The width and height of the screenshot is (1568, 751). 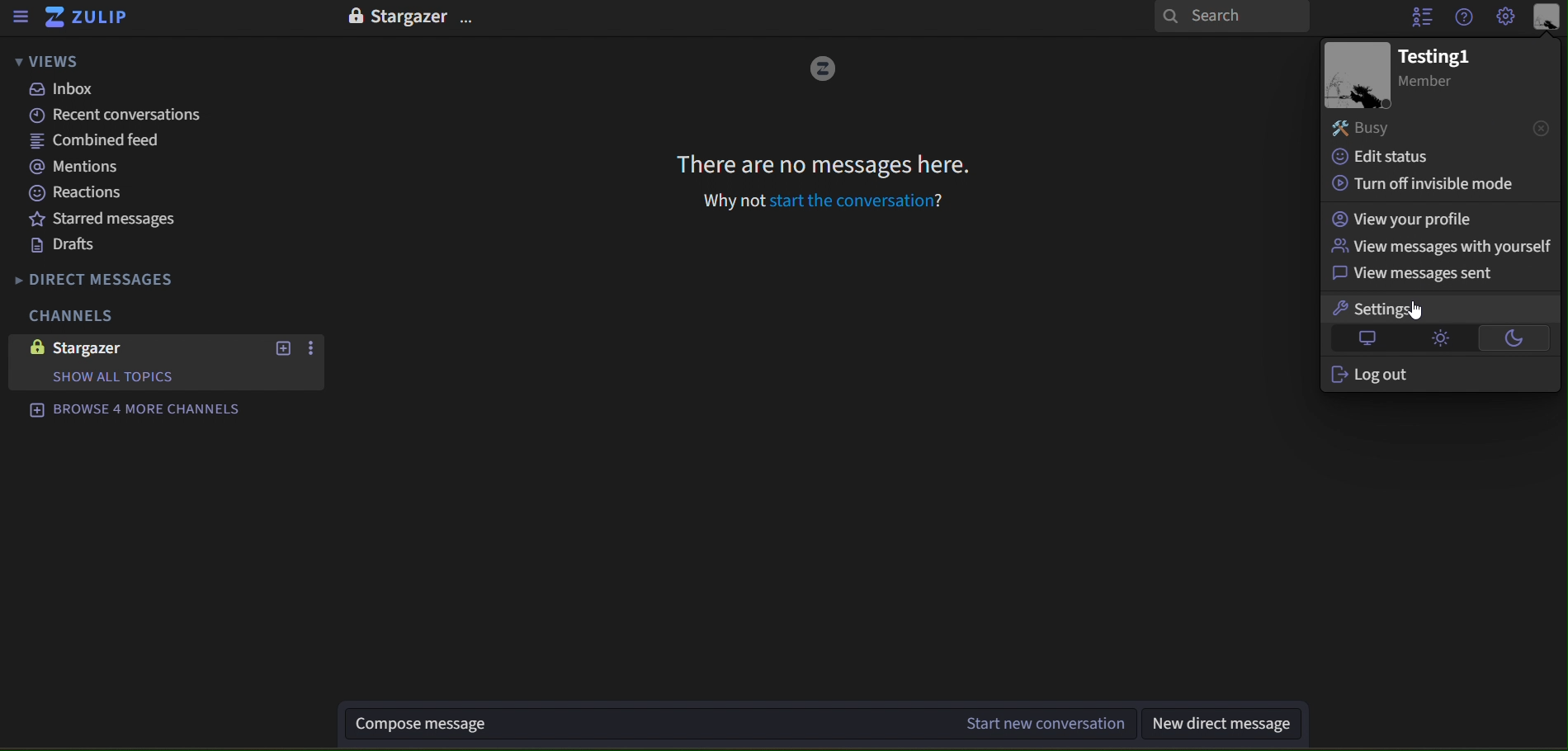 What do you see at coordinates (1411, 313) in the screenshot?
I see `cursor` at bounding box center [1411, 313].